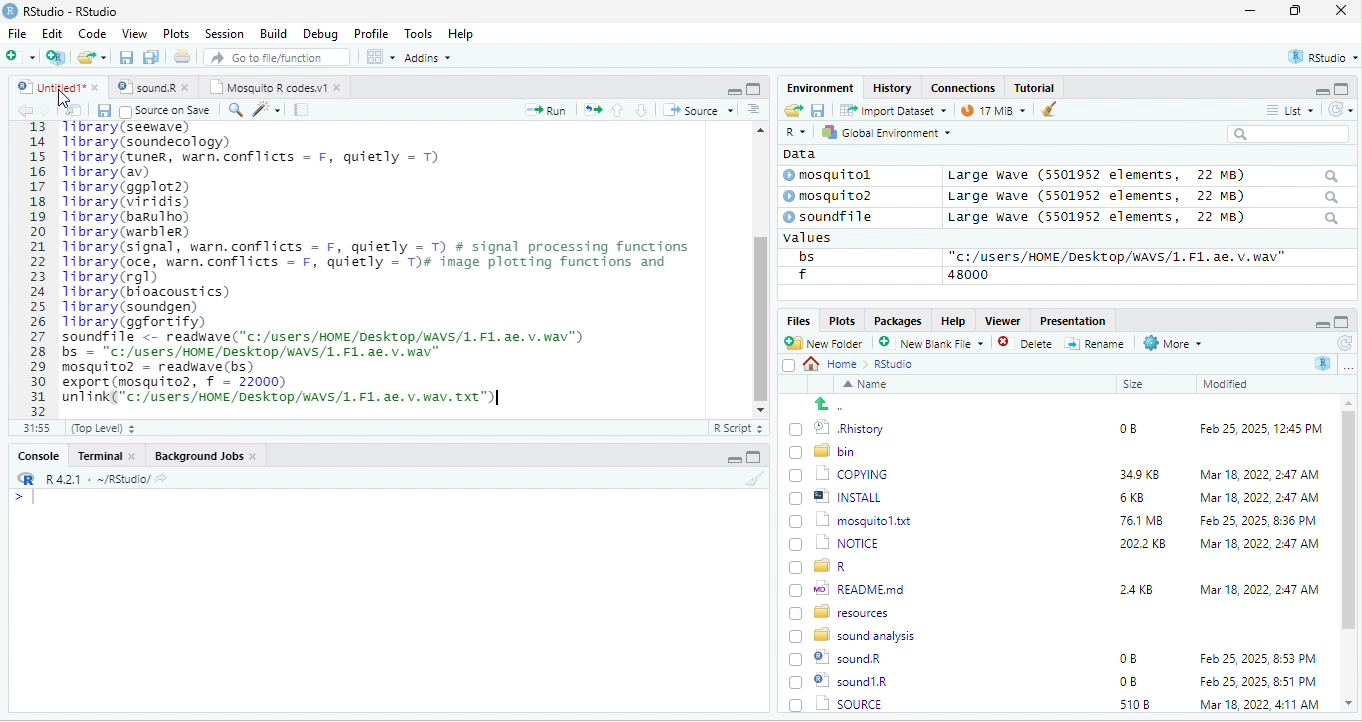  Describe the element at coordinates (37, 454) in the screenshot. I see `Console` at that location.